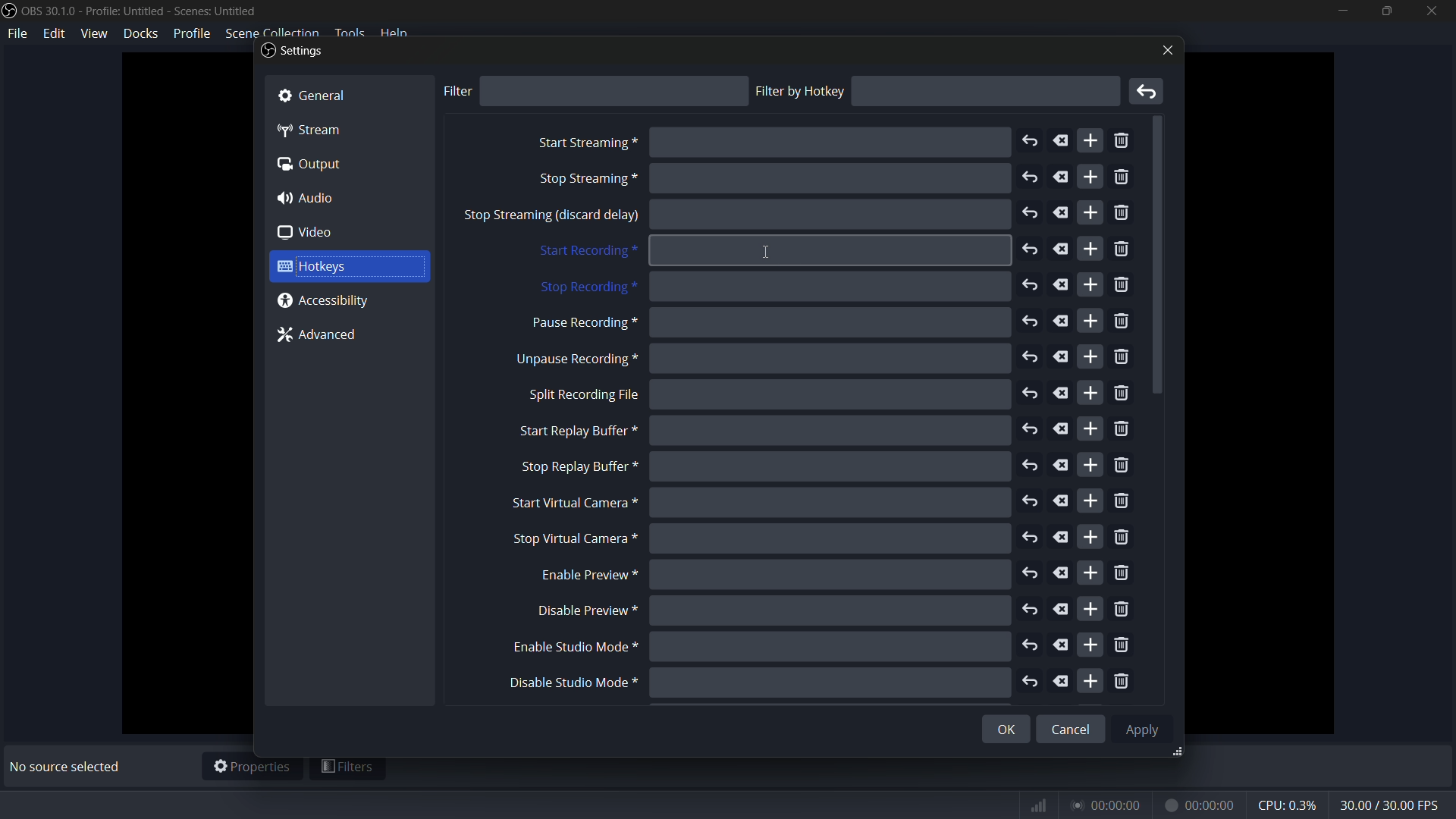 Image resolution: width=1456 pixels, height=819 pixels. Describe the element at coordinates (315, 198) in the screenshot. I see `4) Audio` at that location.